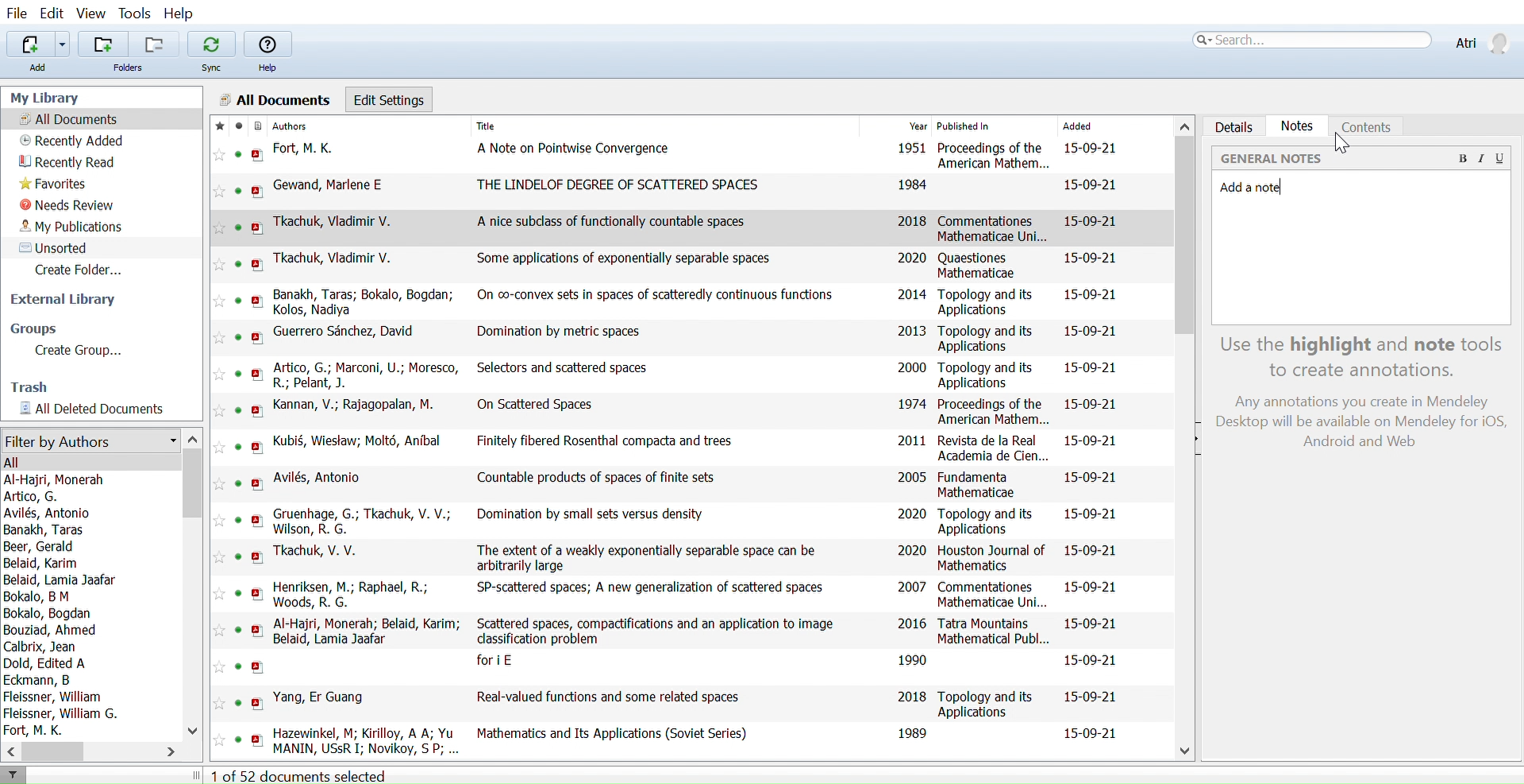  I want to click on open PDF, so click(257, 594).